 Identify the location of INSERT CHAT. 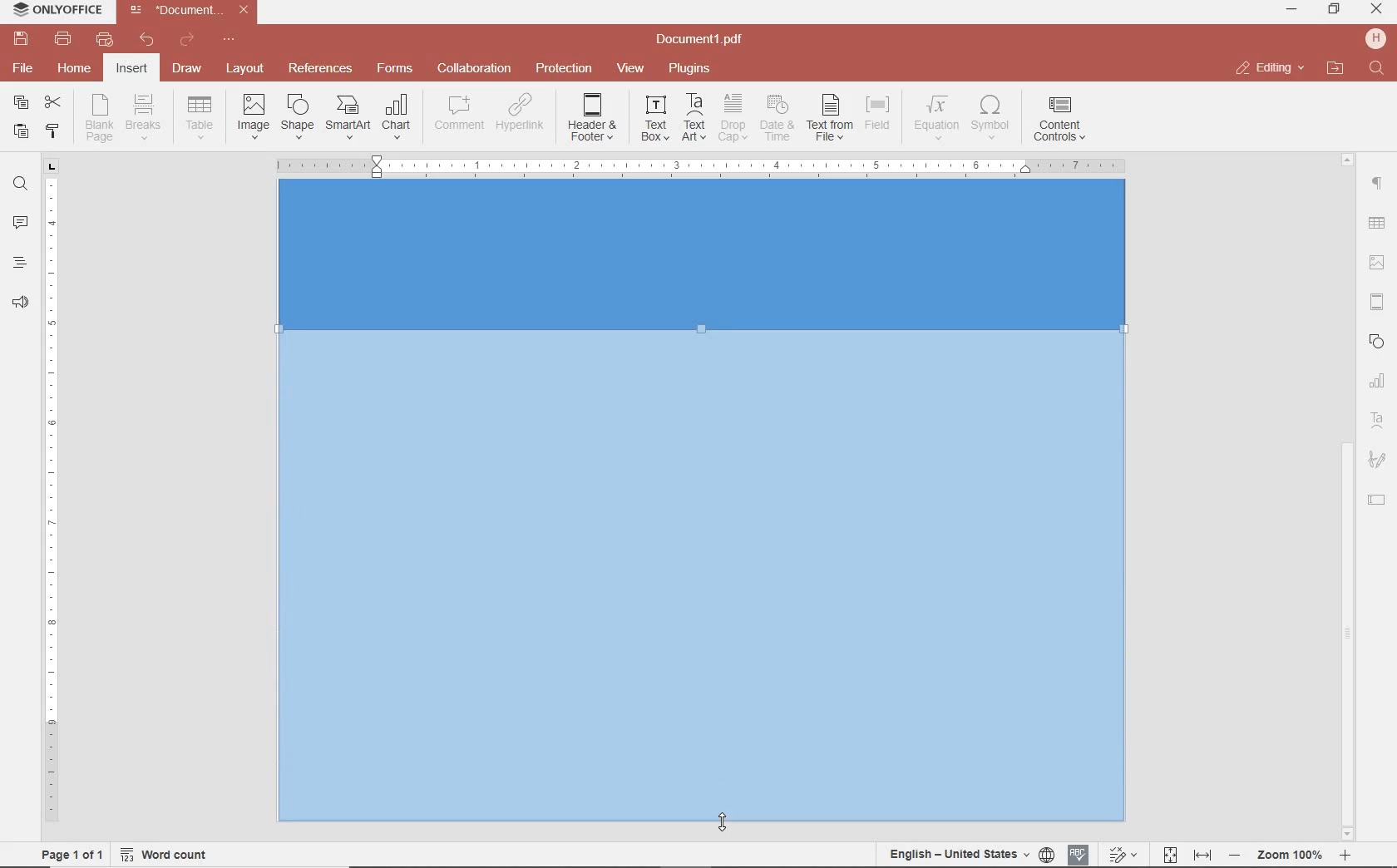
(397, 118).